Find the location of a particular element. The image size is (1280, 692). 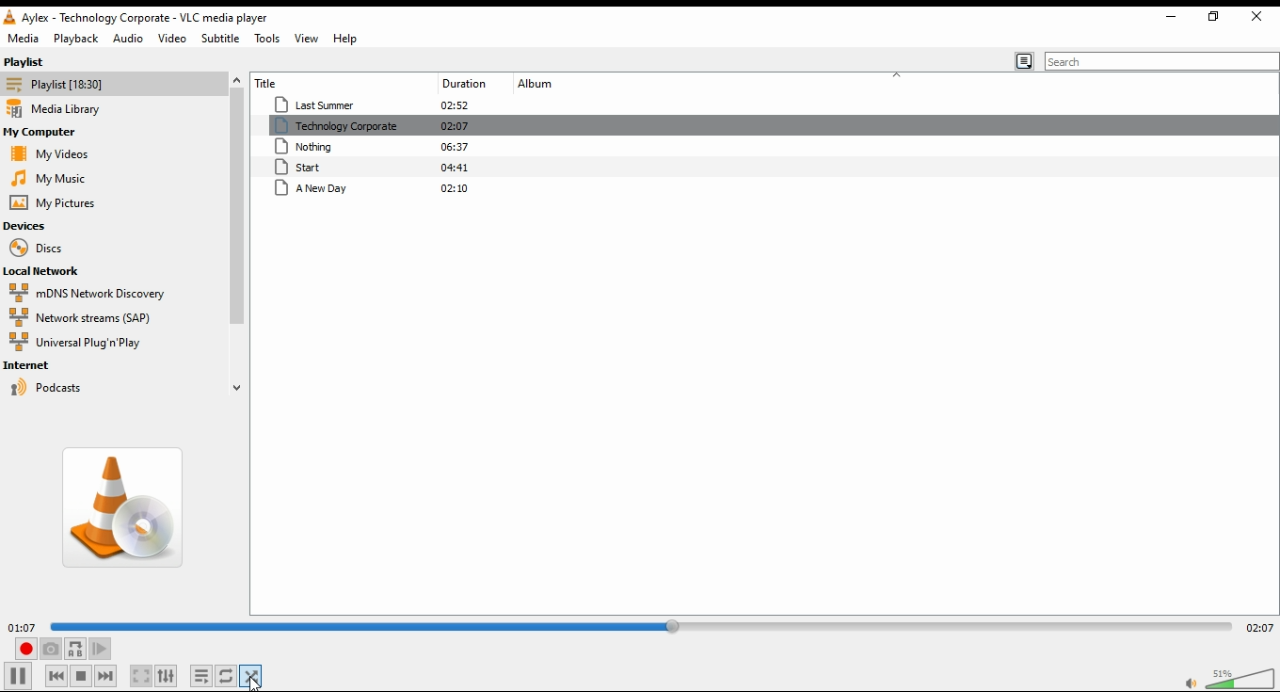

seek bar is located at coordinates (643, 627).